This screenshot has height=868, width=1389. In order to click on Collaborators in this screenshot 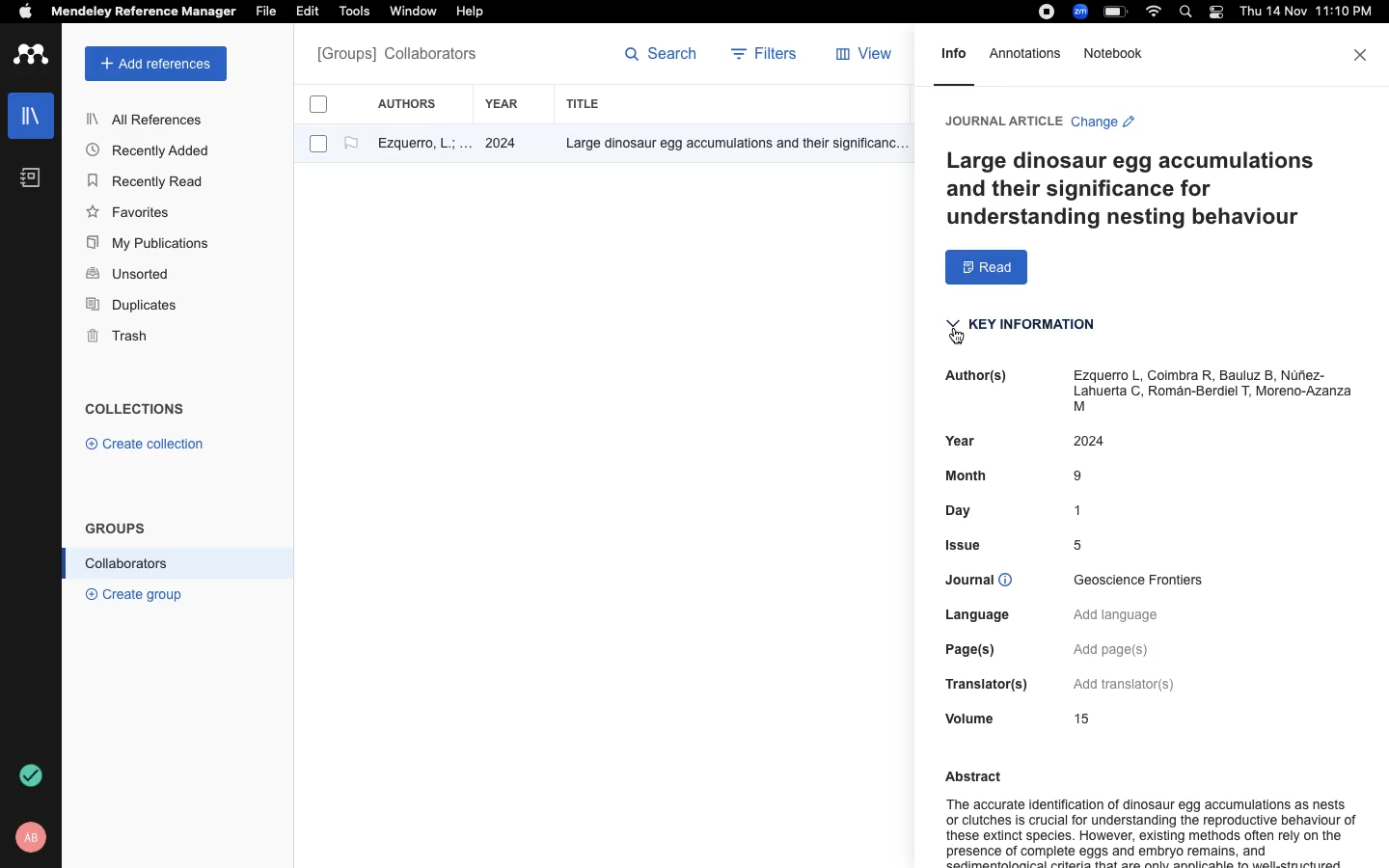, I will do `click(127, 563)`.